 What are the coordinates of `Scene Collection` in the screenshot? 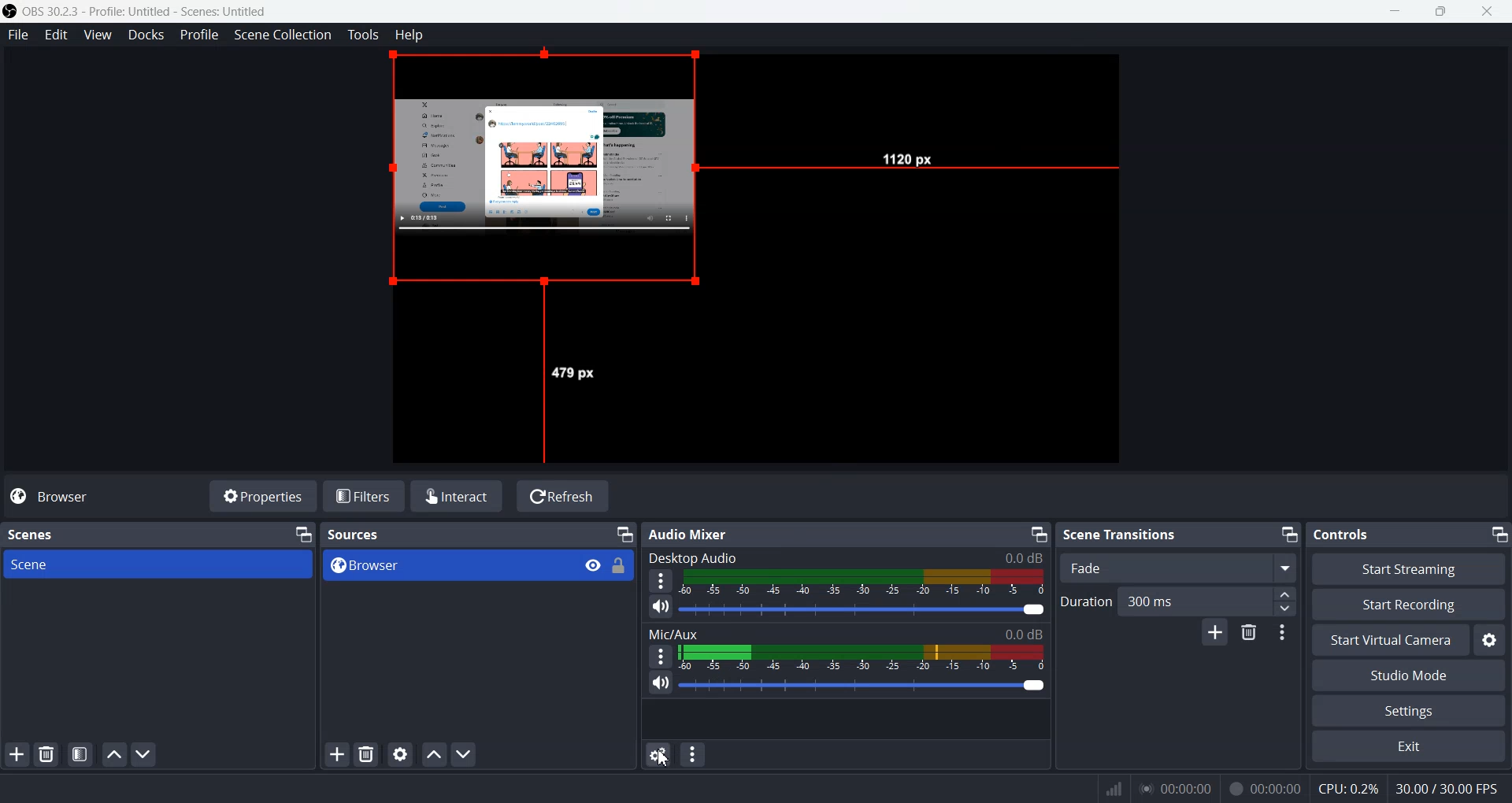 It's located at (283, 35).